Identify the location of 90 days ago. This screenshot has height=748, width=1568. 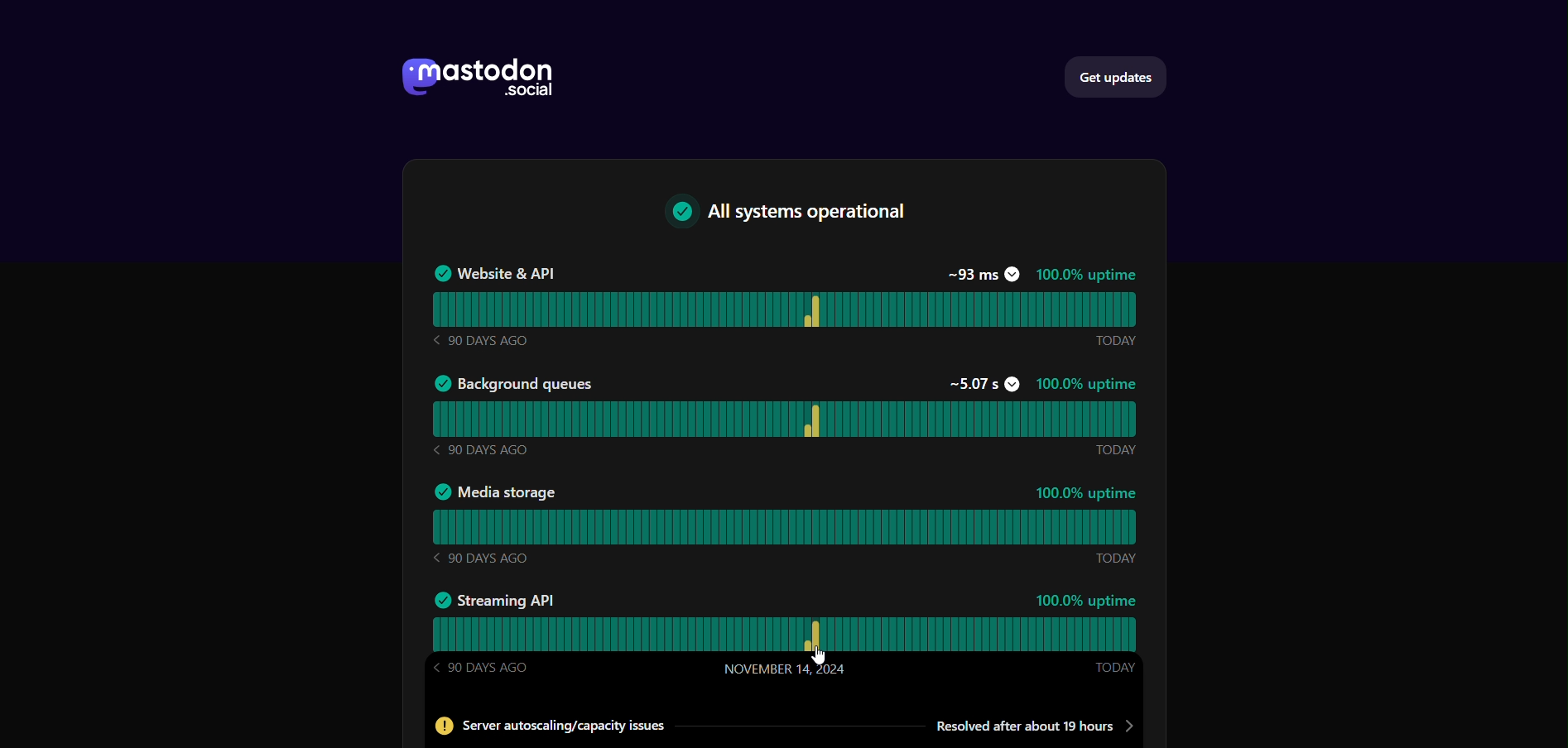
(483, 668).